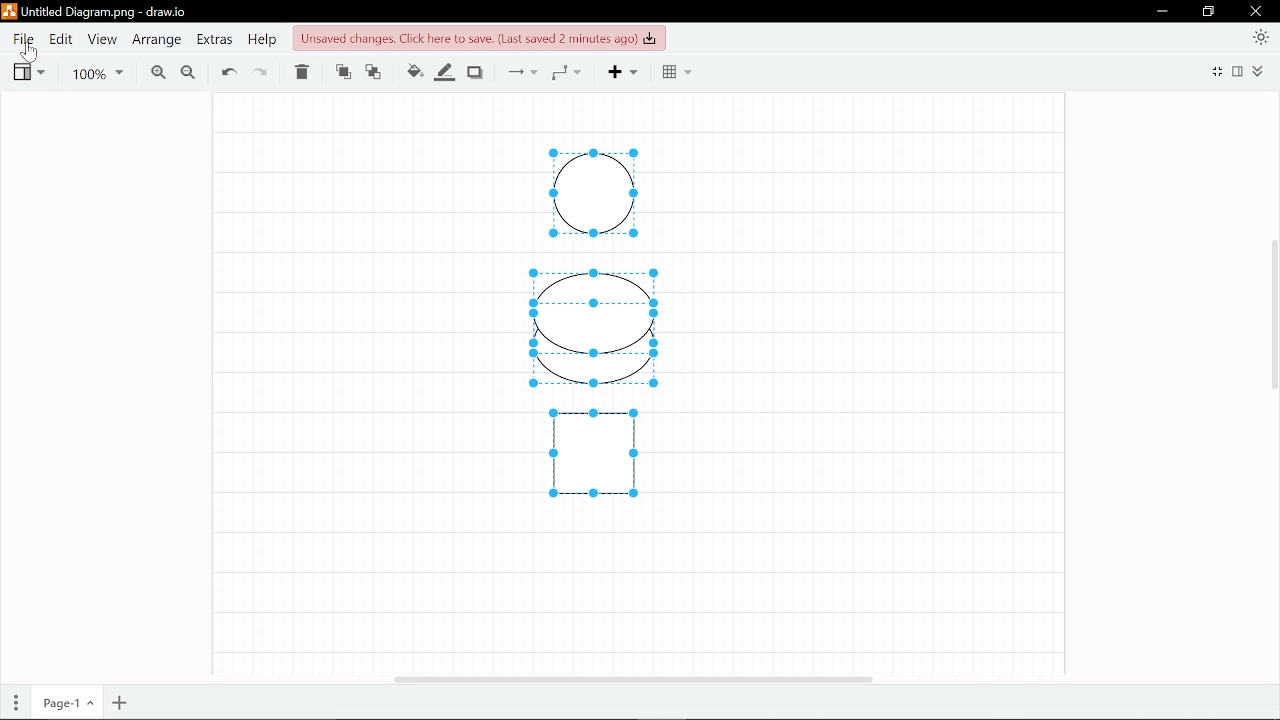 This screenshot has width=1280, height=720. What do you see at coordinates (213, 40) in the screenshot?
I see `Extras` at bounding box center [213, 40].